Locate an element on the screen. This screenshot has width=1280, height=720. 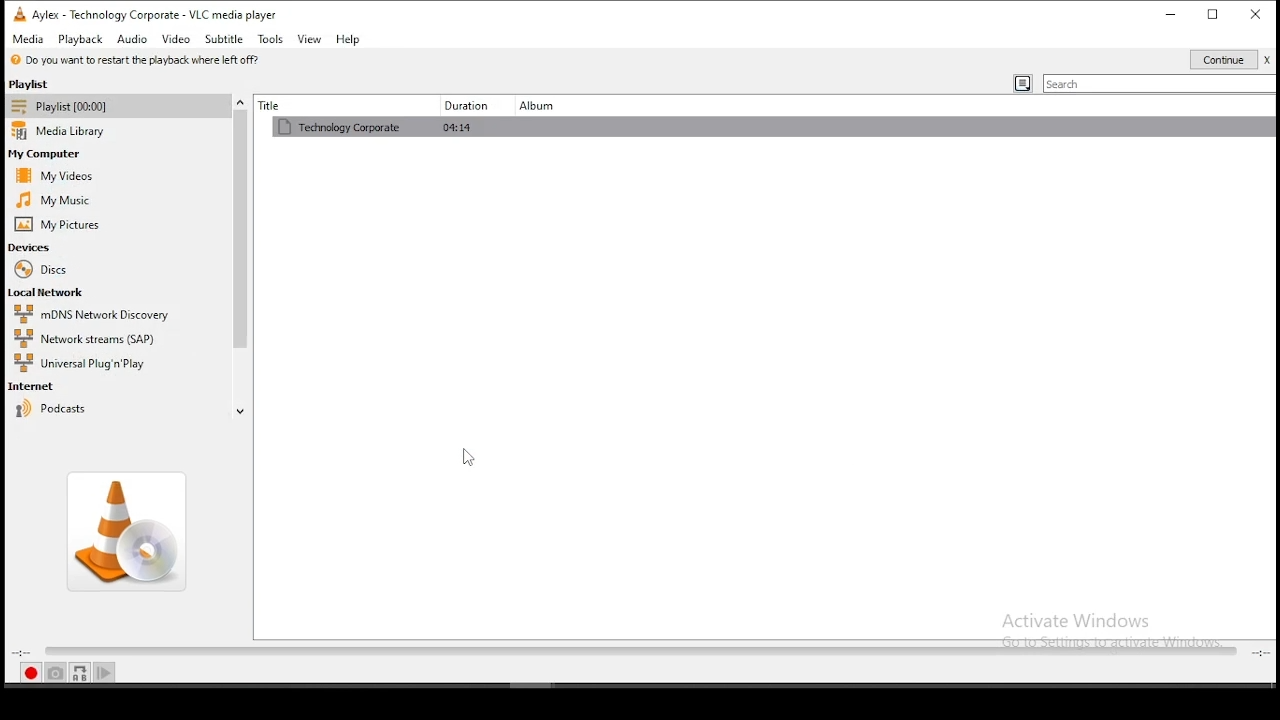
tools is located at coordinates (270, 38).